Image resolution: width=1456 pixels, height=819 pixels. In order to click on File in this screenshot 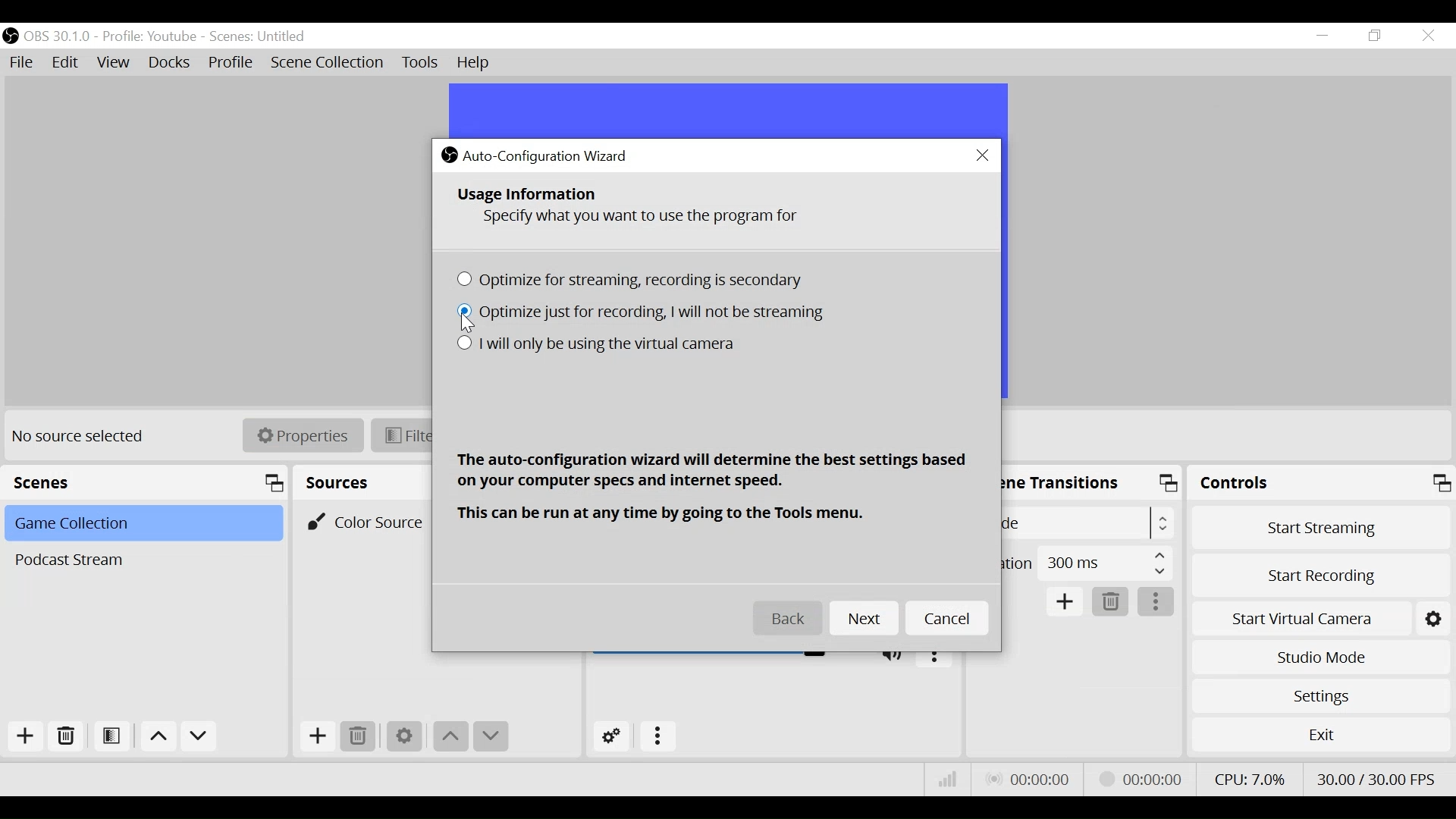, I will do `click(22, 63)`.